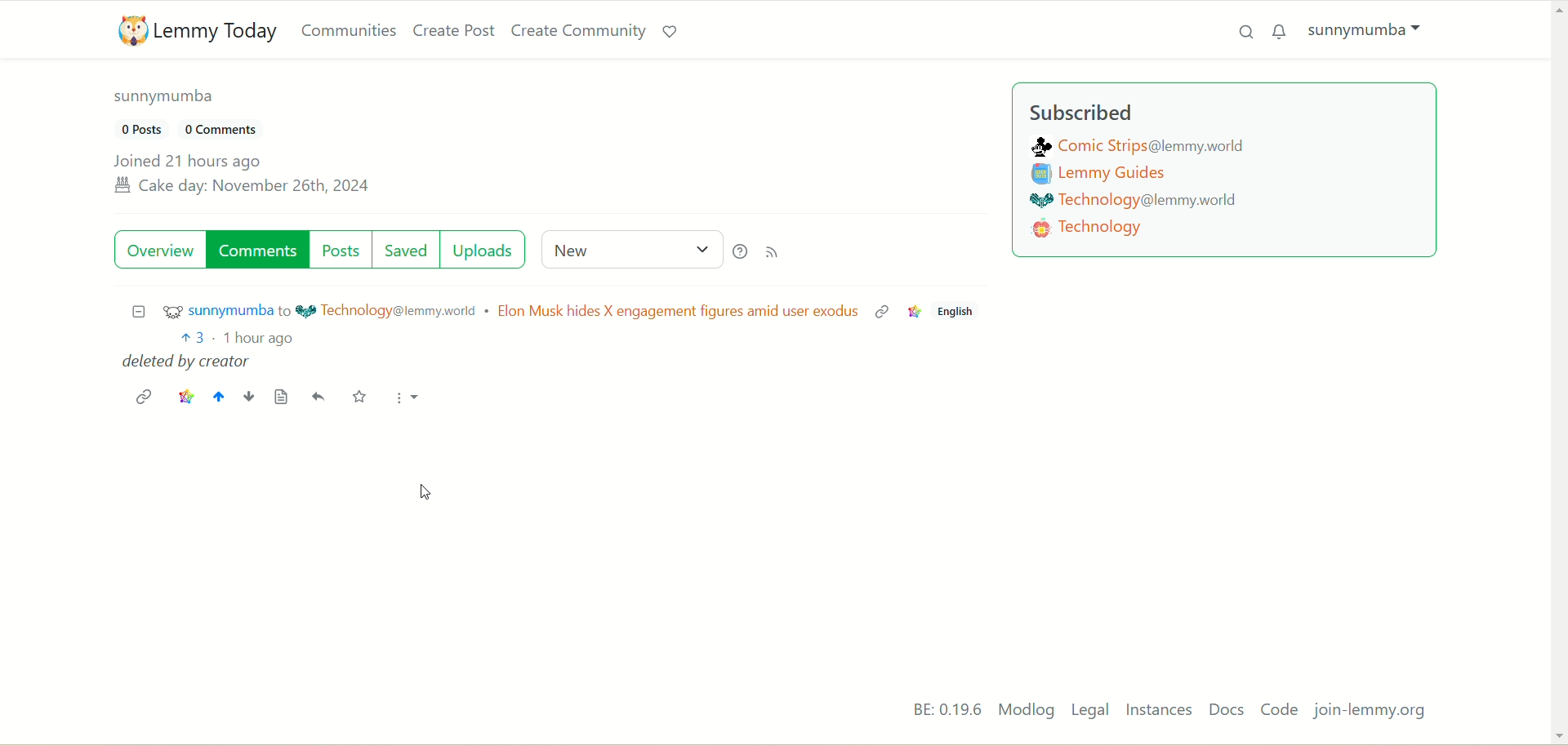  Describe the element at coordinates (344, 248) in the screenshot. I see `posts` at that location.